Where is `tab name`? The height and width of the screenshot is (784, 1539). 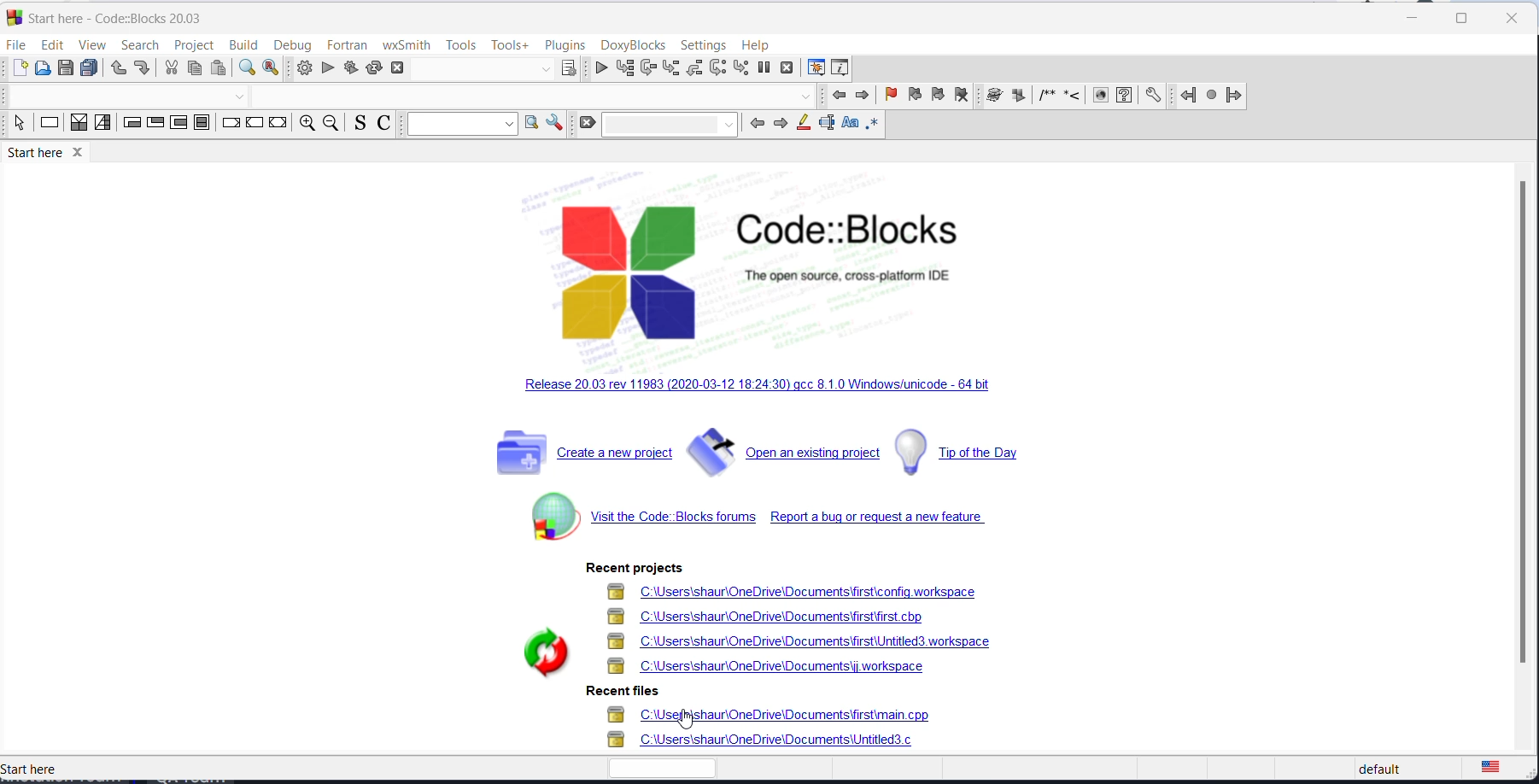
tab name is located at coordinates (37, 769).